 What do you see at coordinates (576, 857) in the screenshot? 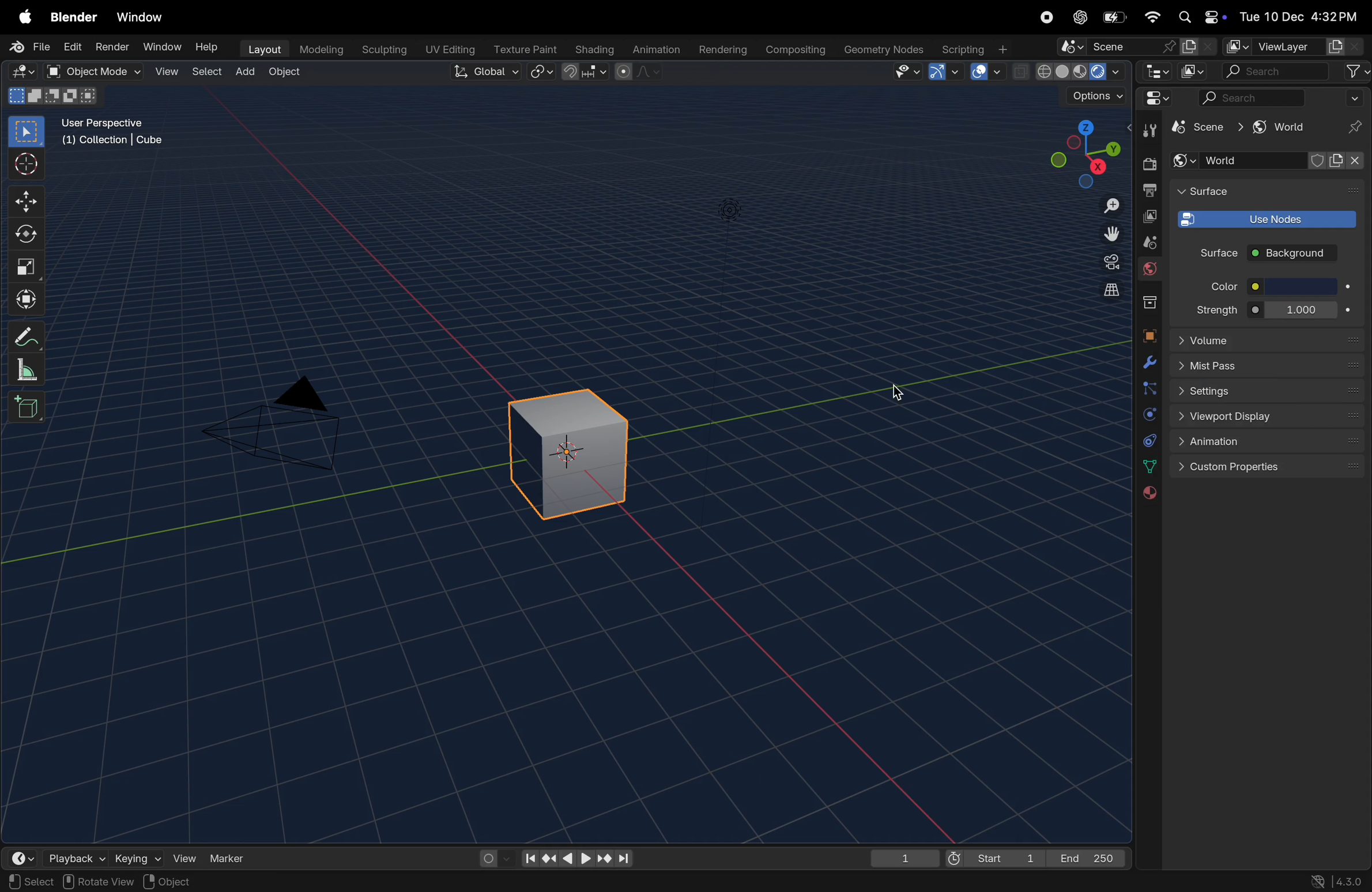
I see `playback controls` at bounding box center [576, 857].